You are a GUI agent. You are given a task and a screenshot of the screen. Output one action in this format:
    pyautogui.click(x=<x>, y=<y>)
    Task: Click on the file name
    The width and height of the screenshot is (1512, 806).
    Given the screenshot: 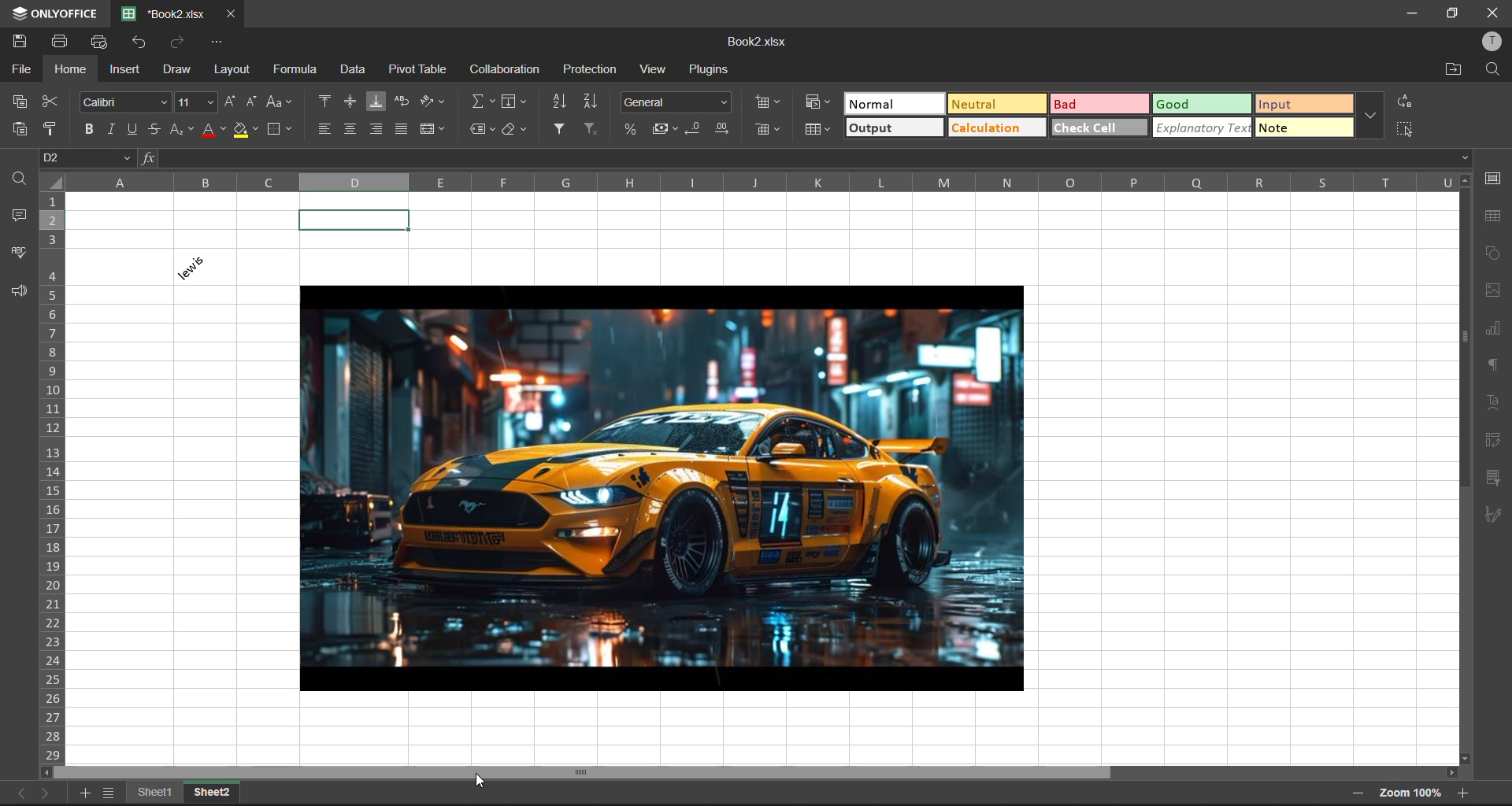 What is the action you would take?
    pyautogui.click(x=758, y=43)
    